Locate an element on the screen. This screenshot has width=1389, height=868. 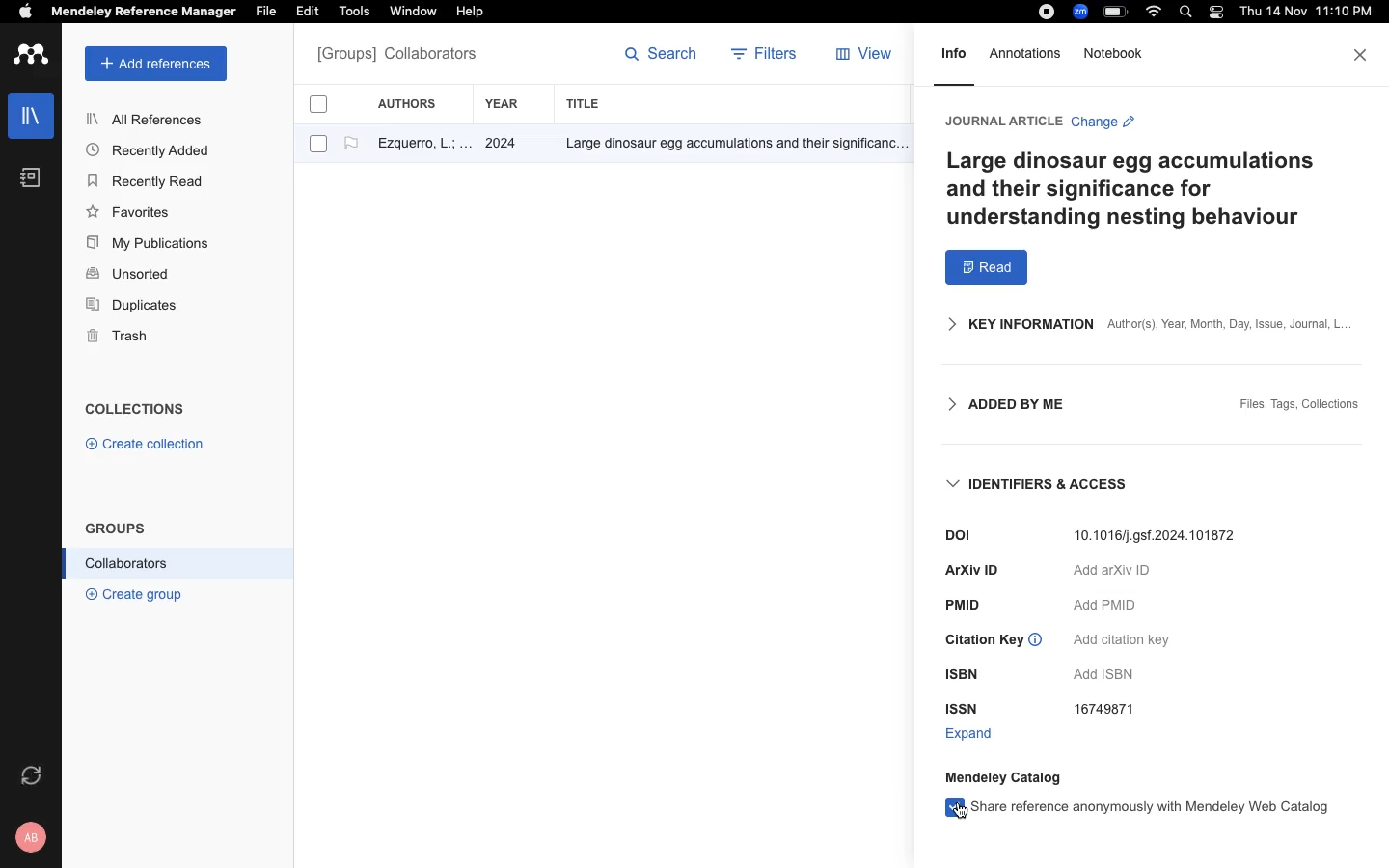
File is located at coordinates (265, 10).